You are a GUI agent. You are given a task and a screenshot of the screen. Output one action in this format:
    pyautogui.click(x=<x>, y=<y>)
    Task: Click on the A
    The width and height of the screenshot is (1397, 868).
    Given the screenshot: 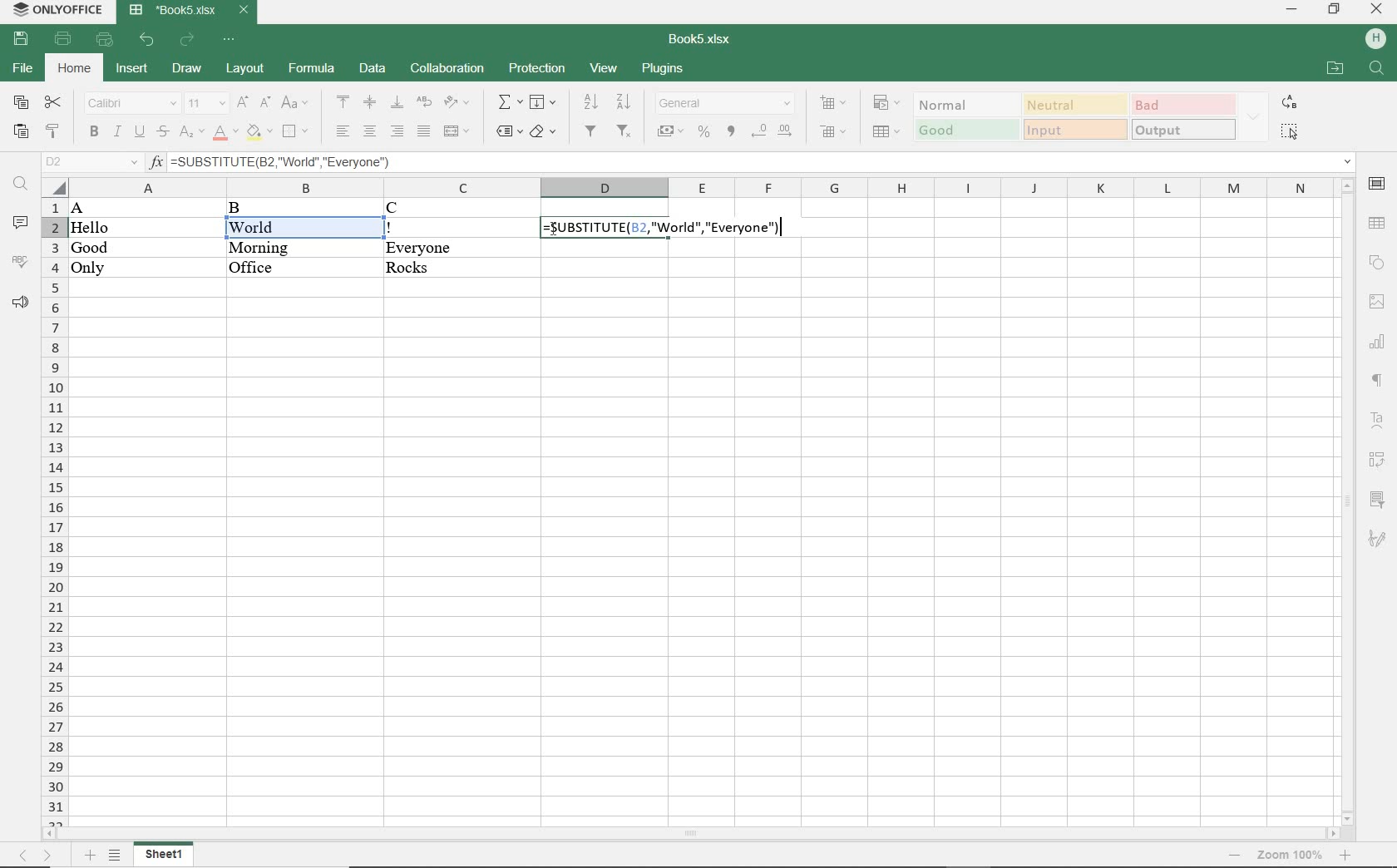 What is the action you would take?
    pyautogui.click(x=93, y=209)
    